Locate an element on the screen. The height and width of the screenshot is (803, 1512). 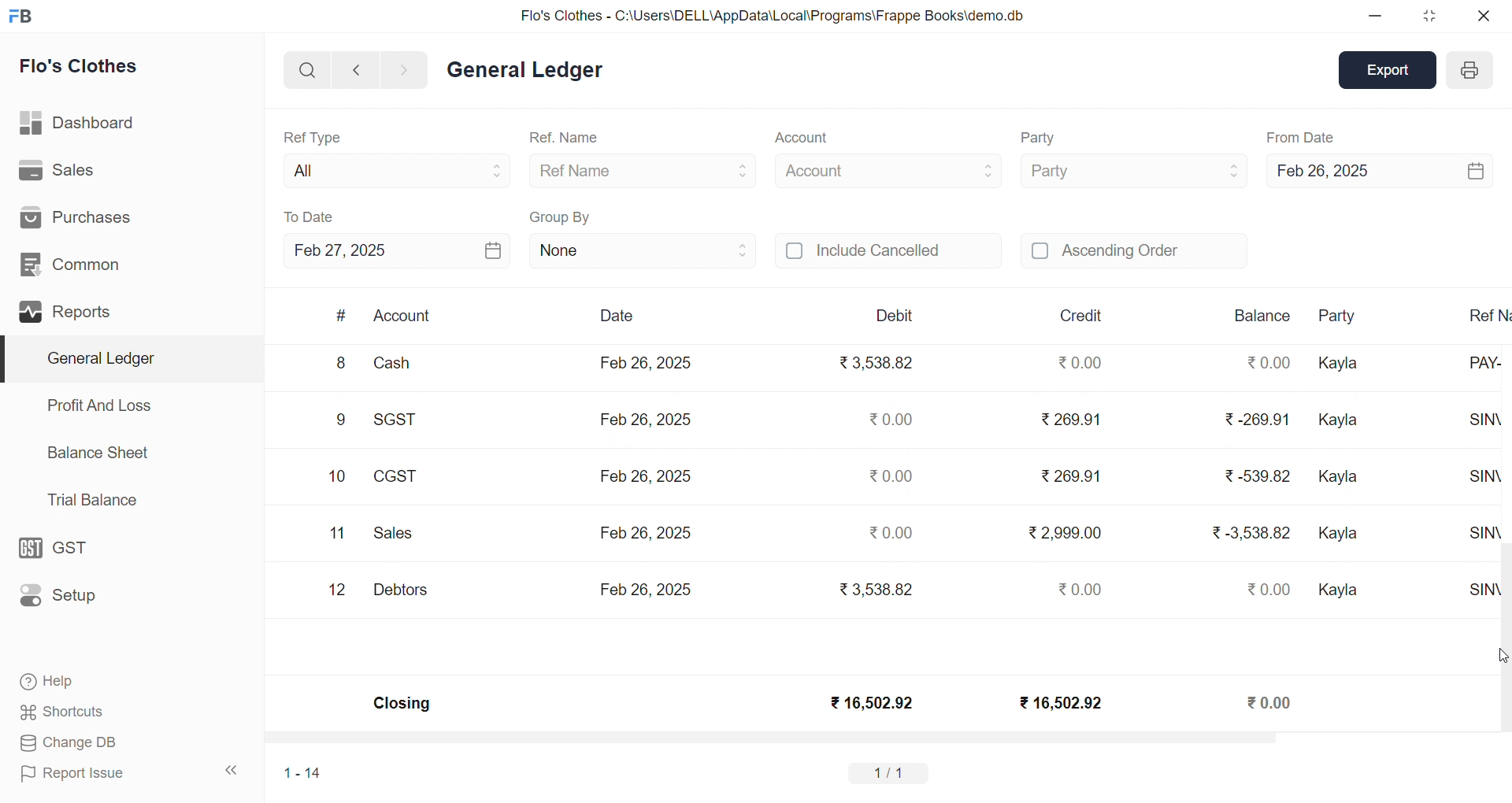
Feb 26, 2025 is located at coordinates (1378, 168).